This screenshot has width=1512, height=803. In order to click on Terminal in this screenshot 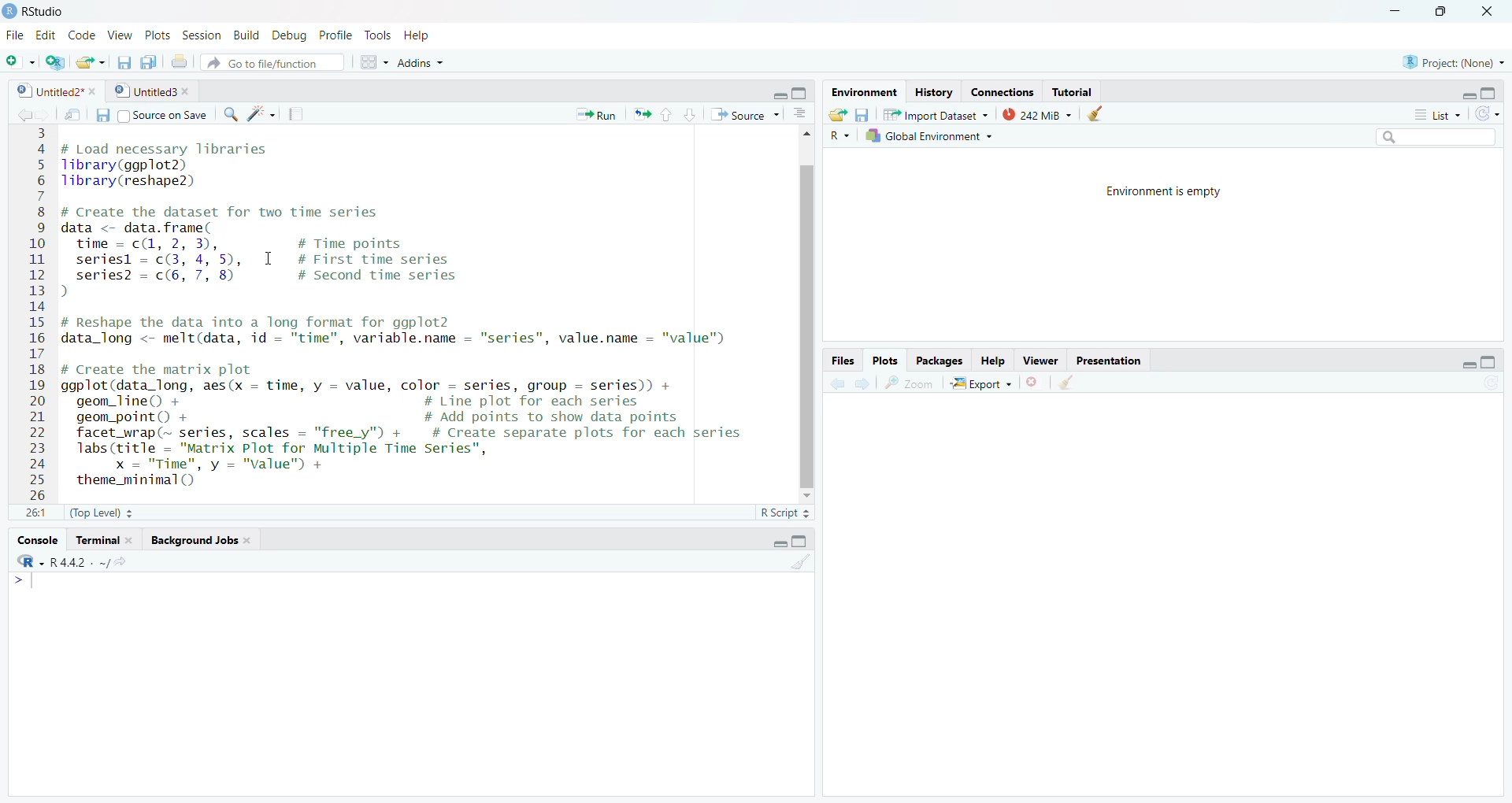, I will do `click(104, 541)`.